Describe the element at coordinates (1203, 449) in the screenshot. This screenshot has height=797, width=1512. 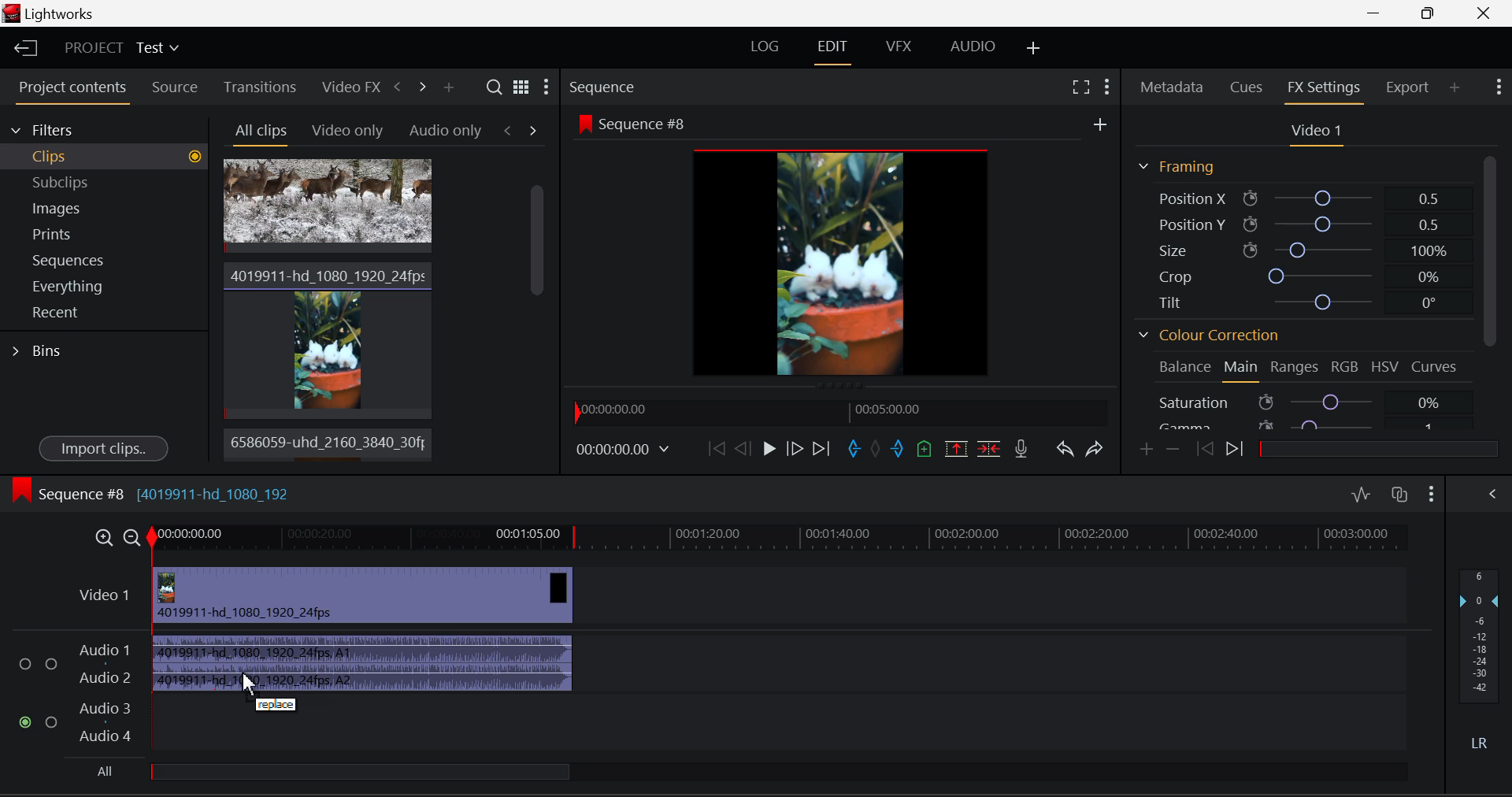
I see `Previous keyframe` at that location.